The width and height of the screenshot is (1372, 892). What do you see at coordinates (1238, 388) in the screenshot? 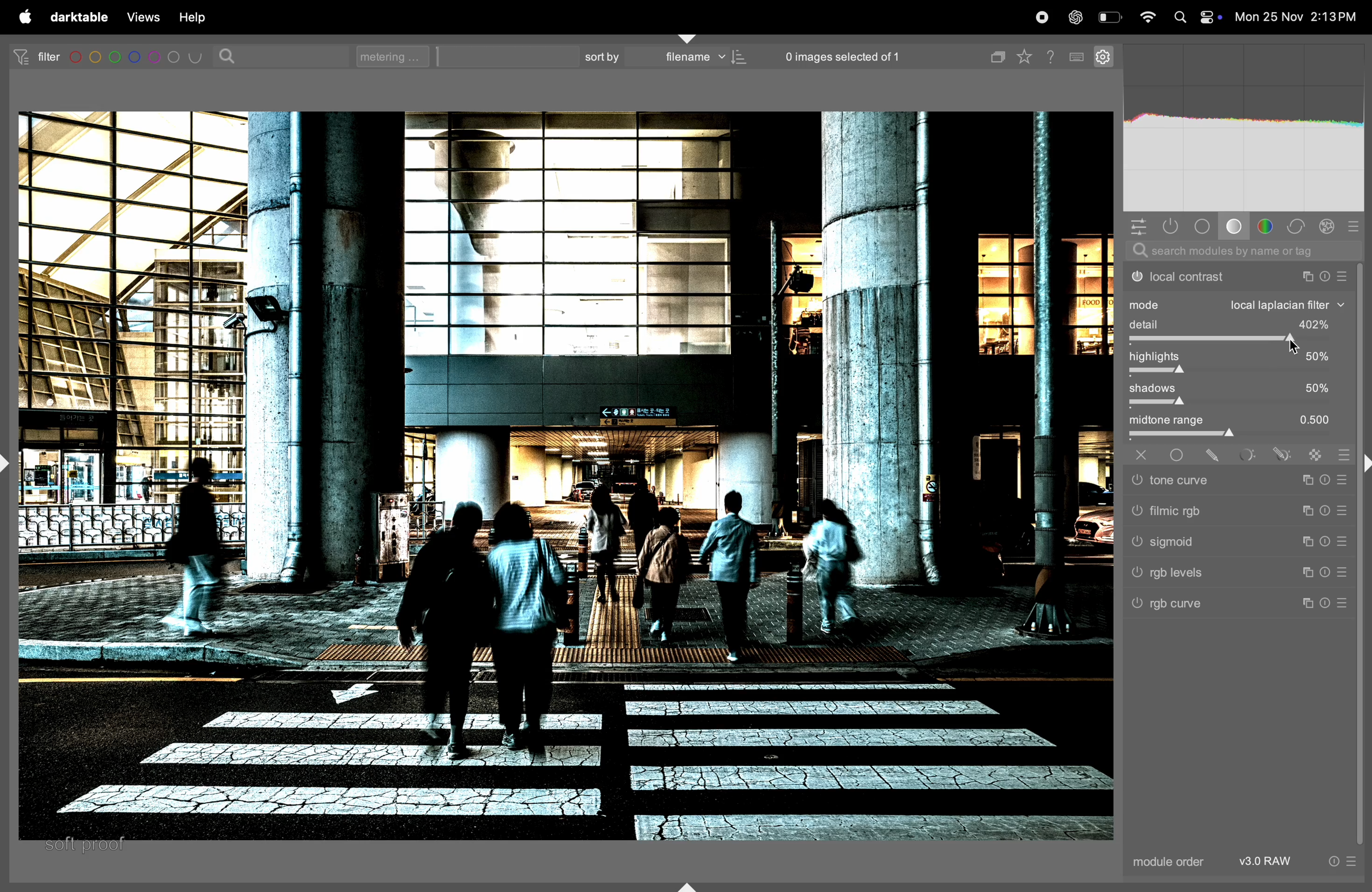
I see `shadows` at bounding box center [1238, 388].